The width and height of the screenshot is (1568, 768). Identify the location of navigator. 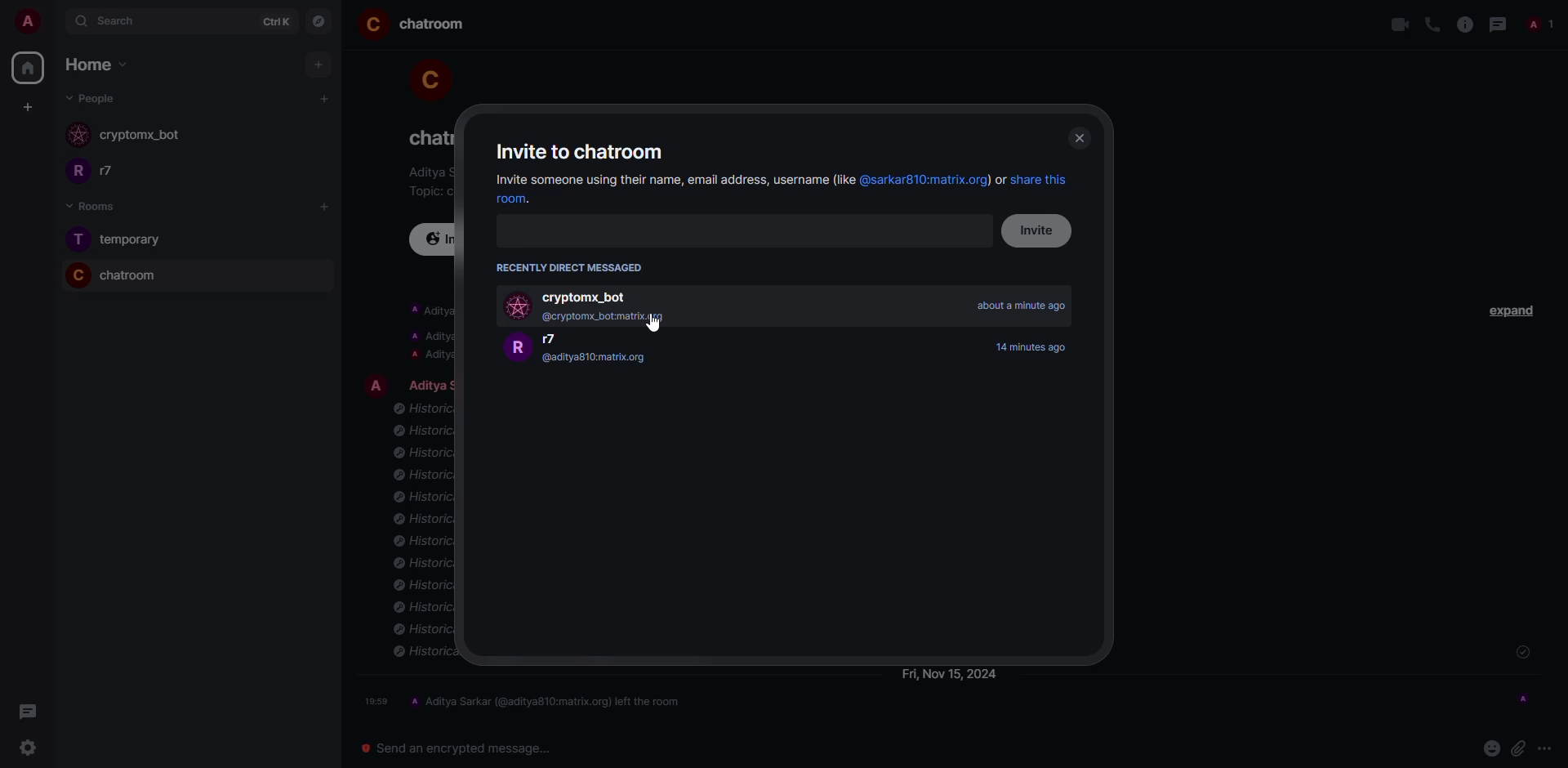
(320, 22).